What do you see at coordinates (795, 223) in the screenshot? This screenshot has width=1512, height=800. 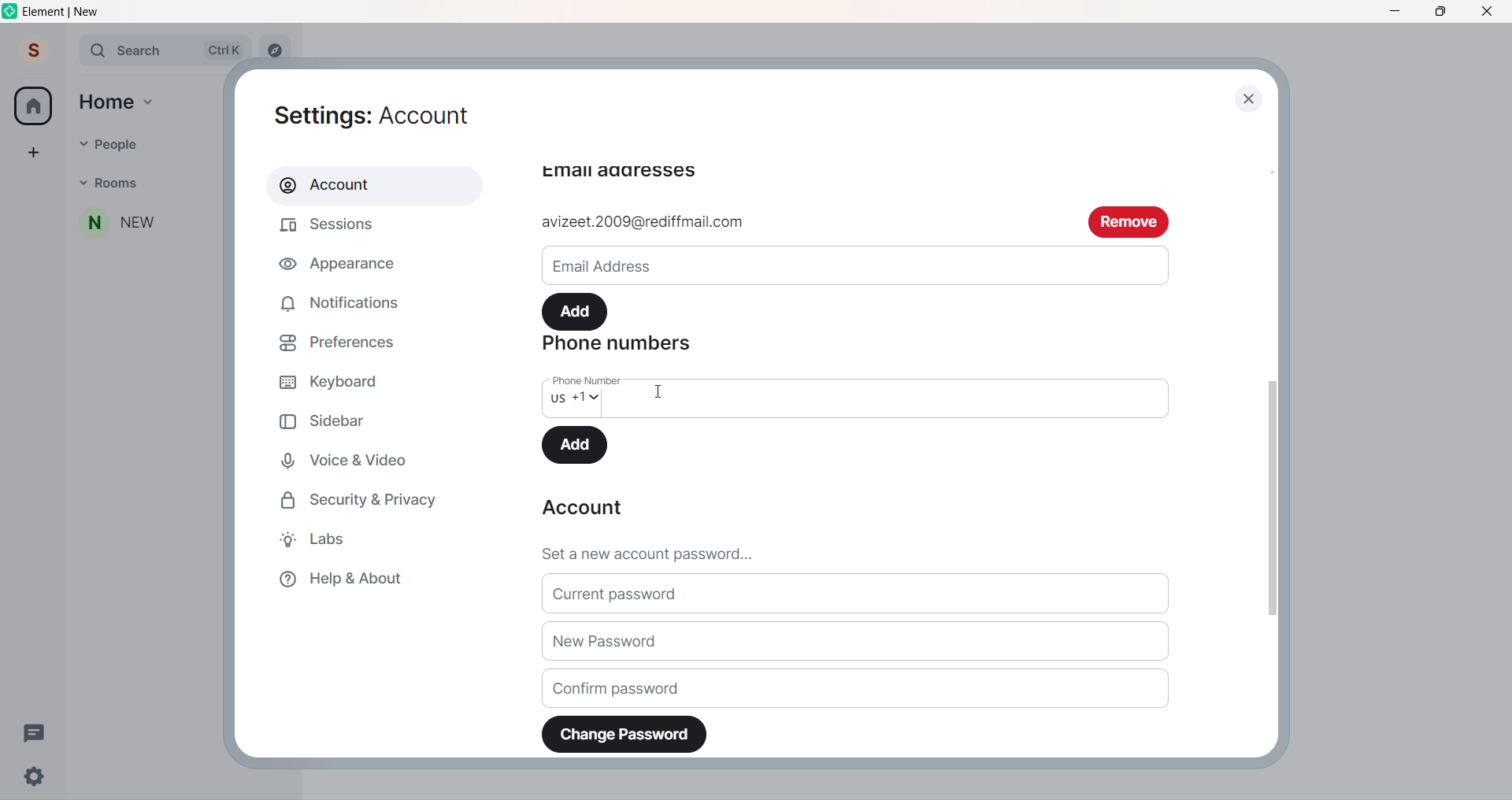 I see `add email id` at bounding box center [795, 223].